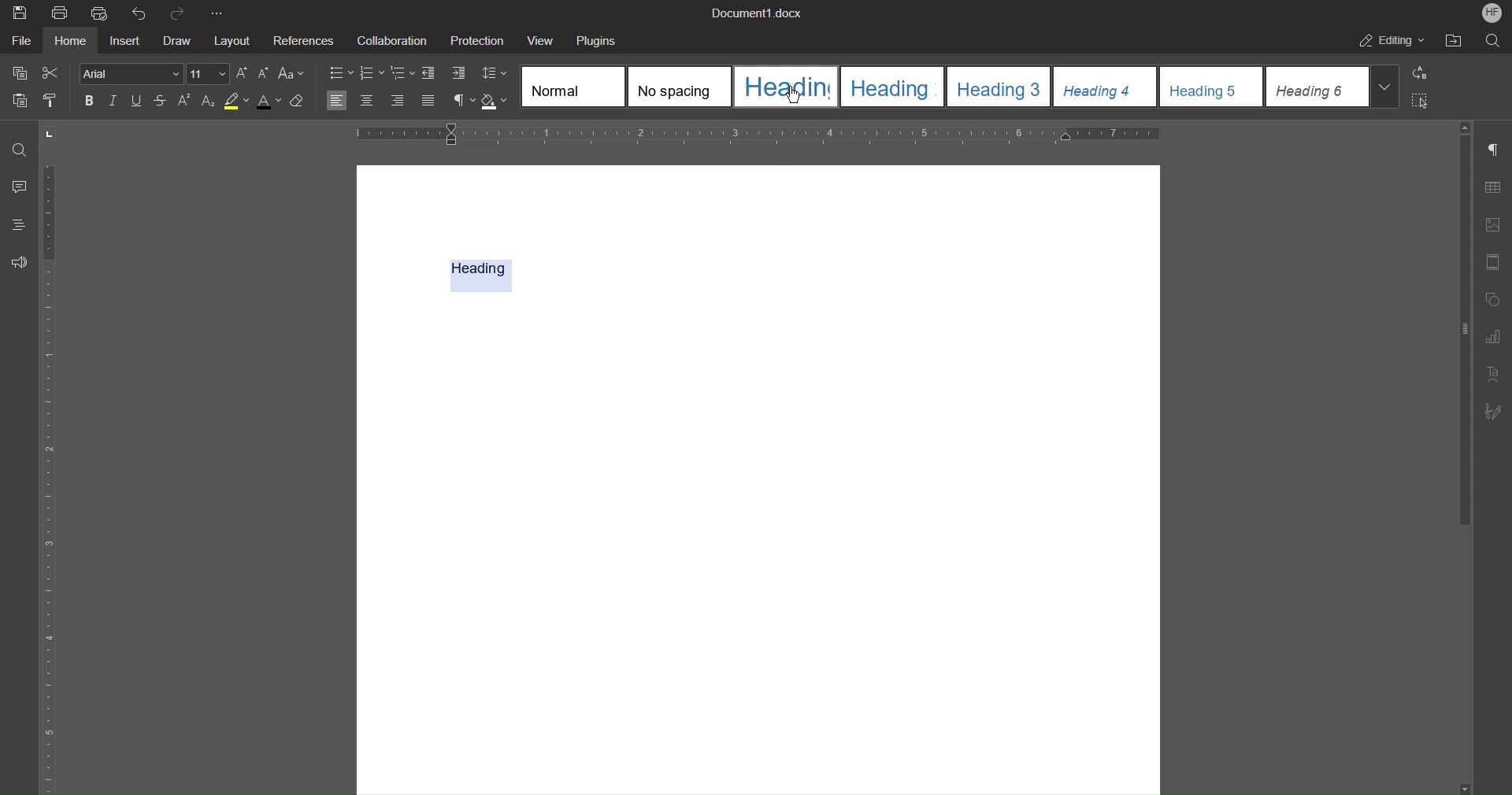 The height and width of the screenshot is (795, 1512). I want to click on Redo, so click(178, 13).